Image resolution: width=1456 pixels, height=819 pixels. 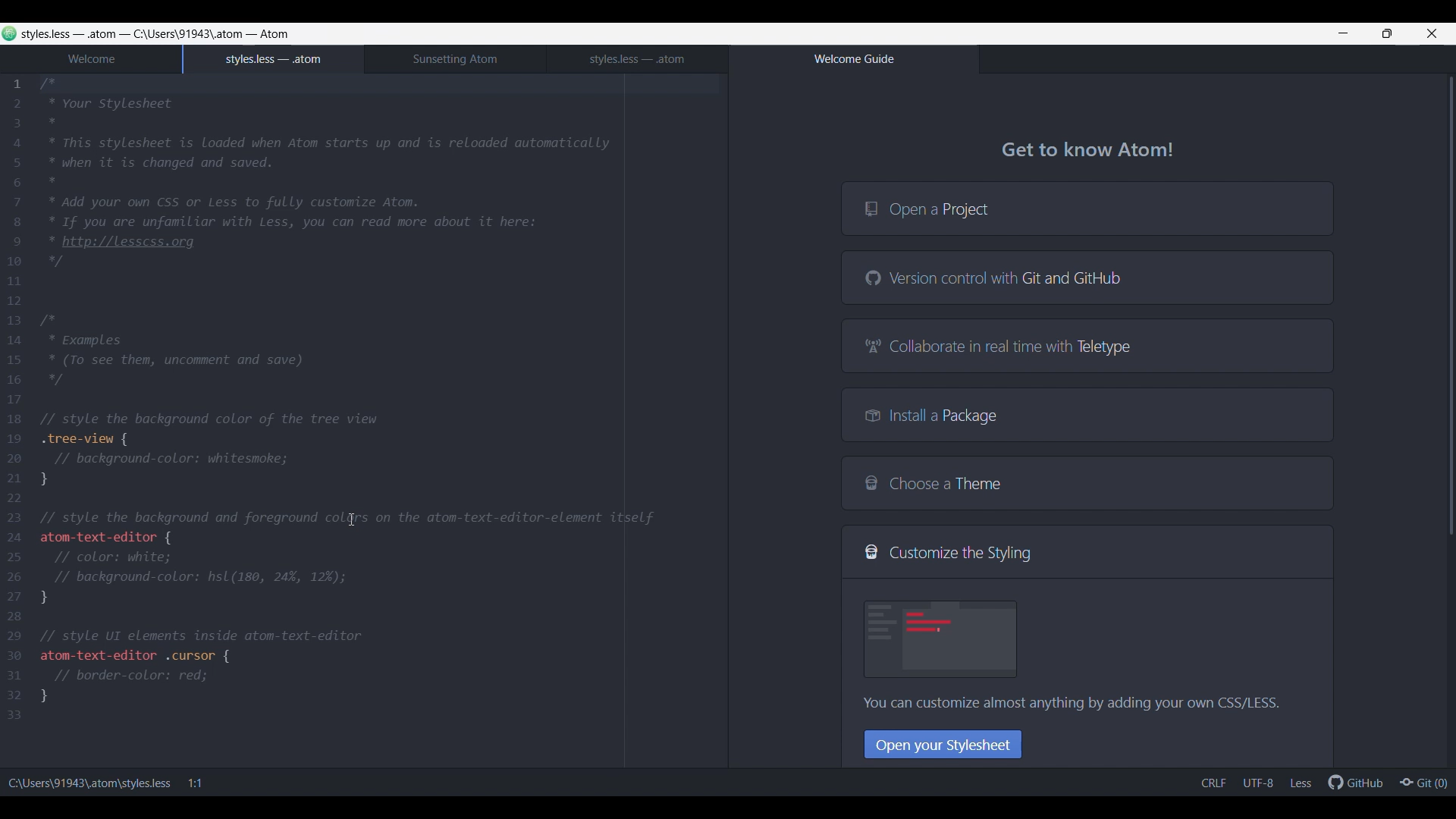 I want to click on Install a Package, so click(x=1087, y=414).